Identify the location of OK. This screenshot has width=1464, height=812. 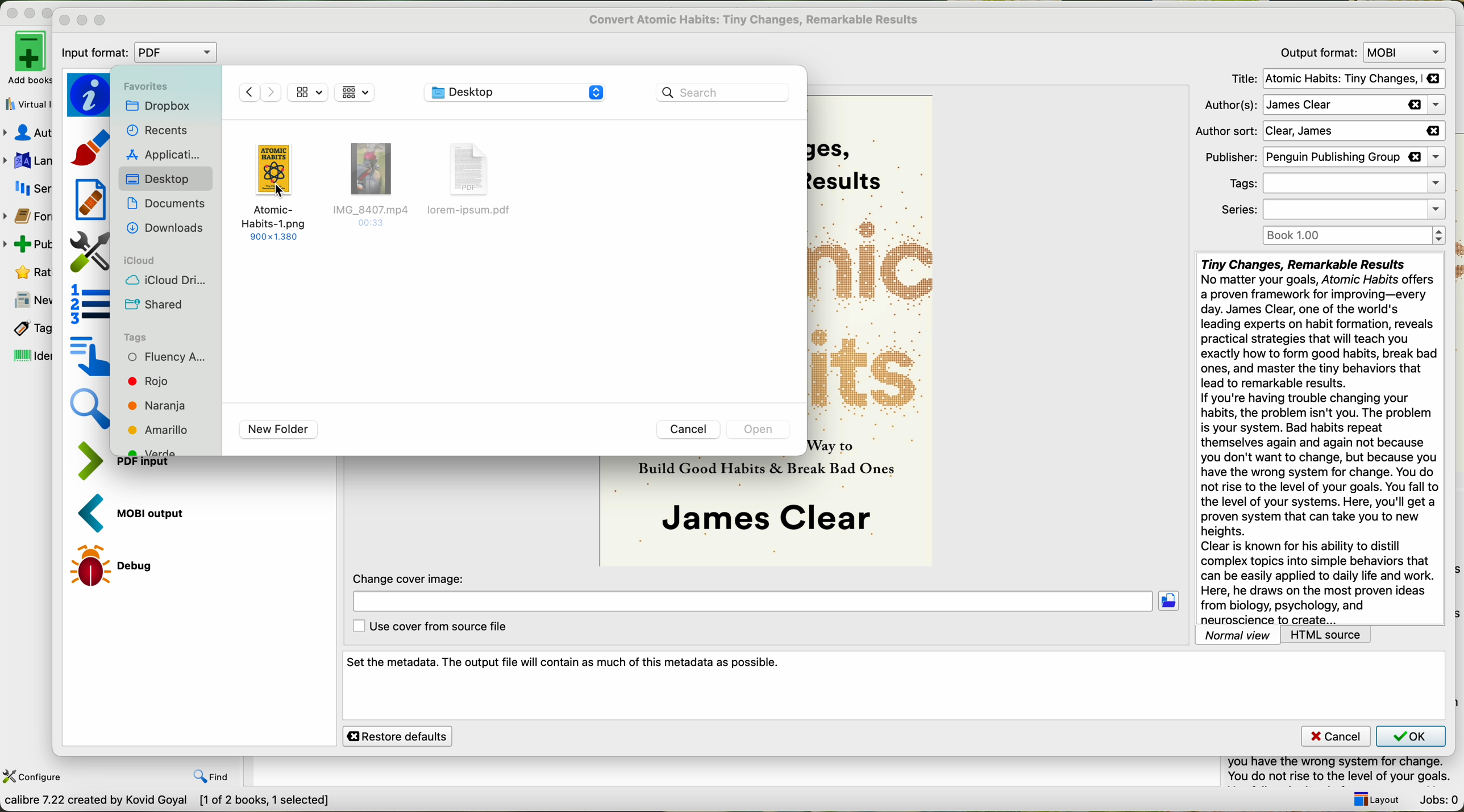
(1410, 735).